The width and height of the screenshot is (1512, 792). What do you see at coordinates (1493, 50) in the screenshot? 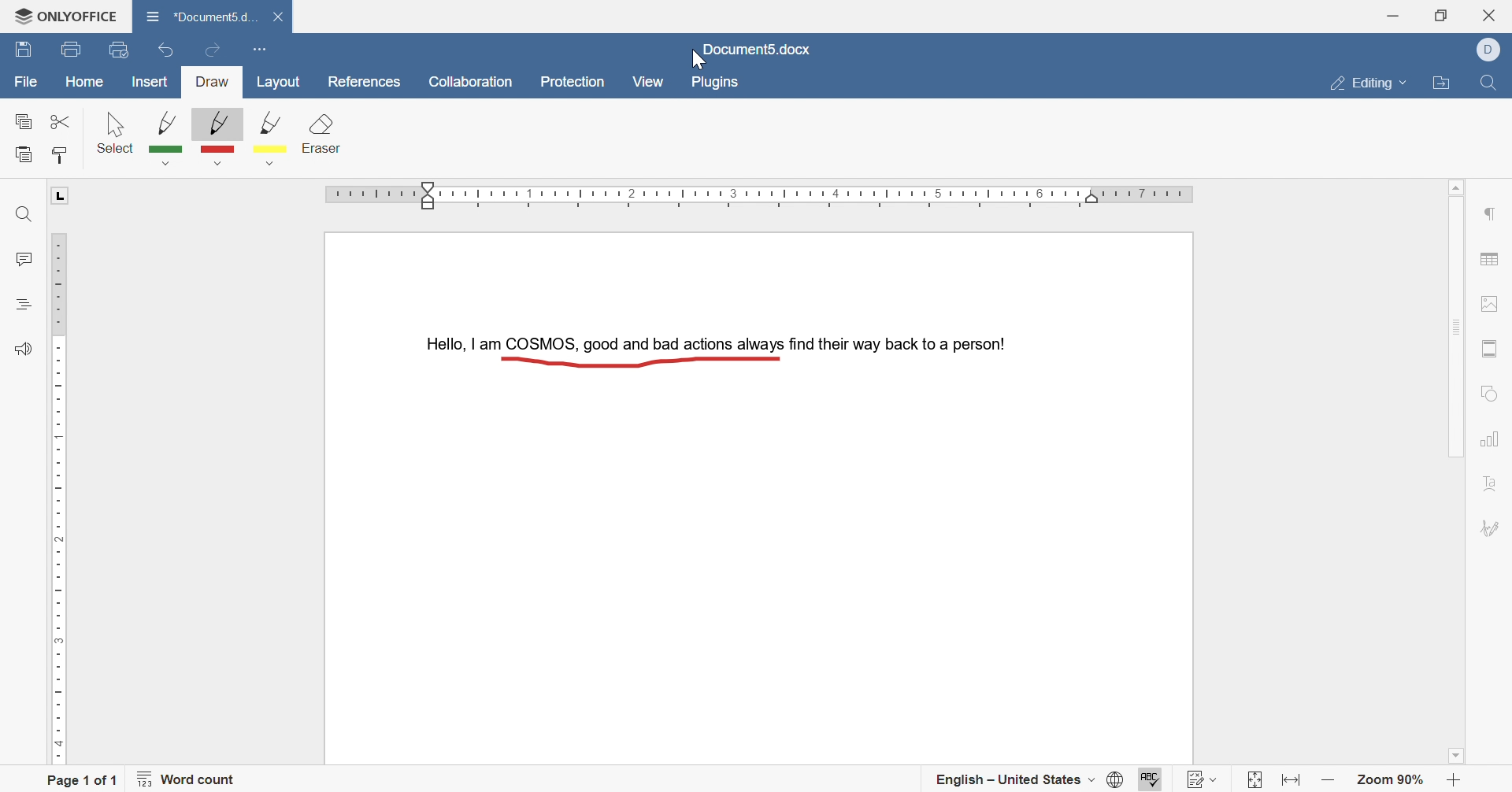
I see `Account` at bounding box center [1493, 50].